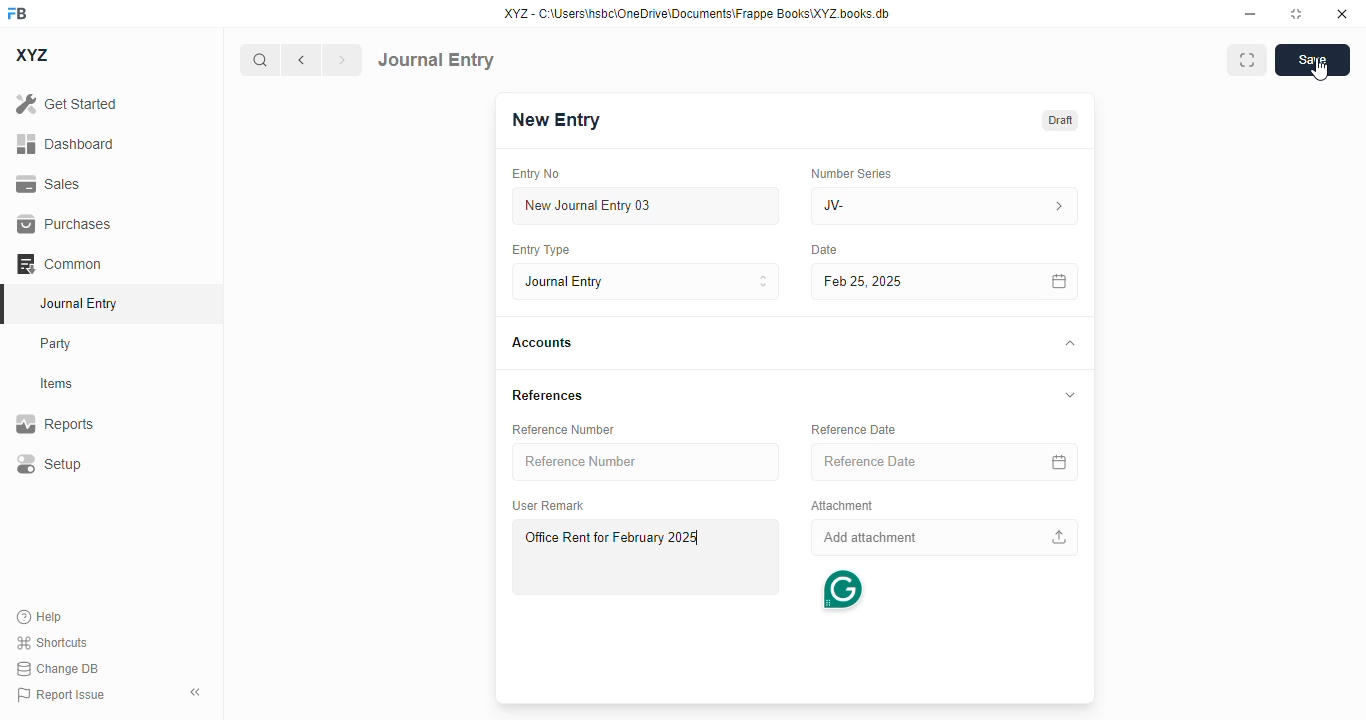  Describe the element at coordinates (1248, 60) in the screenshot. I see `toggle between form and full width` at that location.